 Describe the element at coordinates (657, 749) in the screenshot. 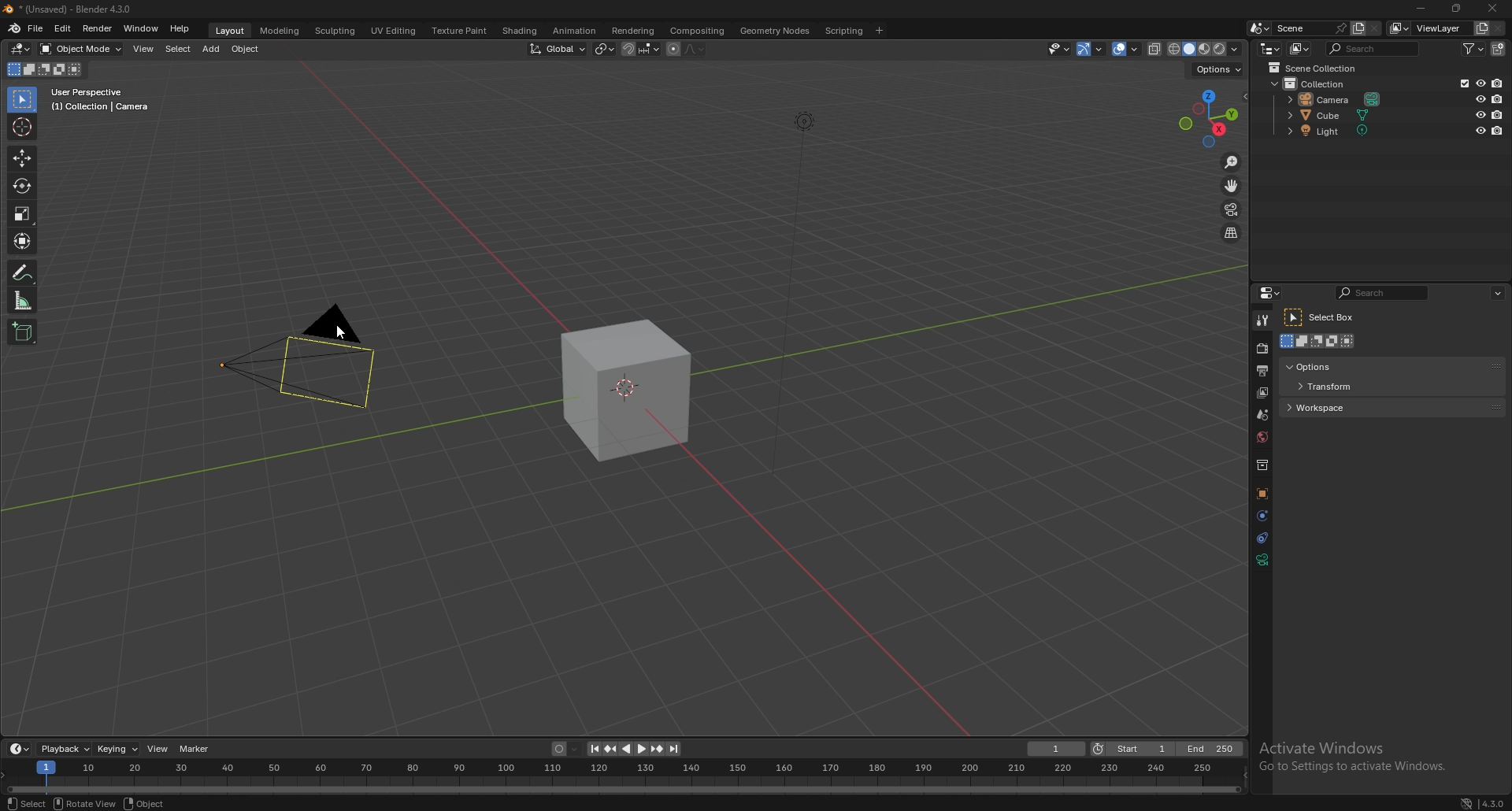

I see `jump to keyframe` at that location.